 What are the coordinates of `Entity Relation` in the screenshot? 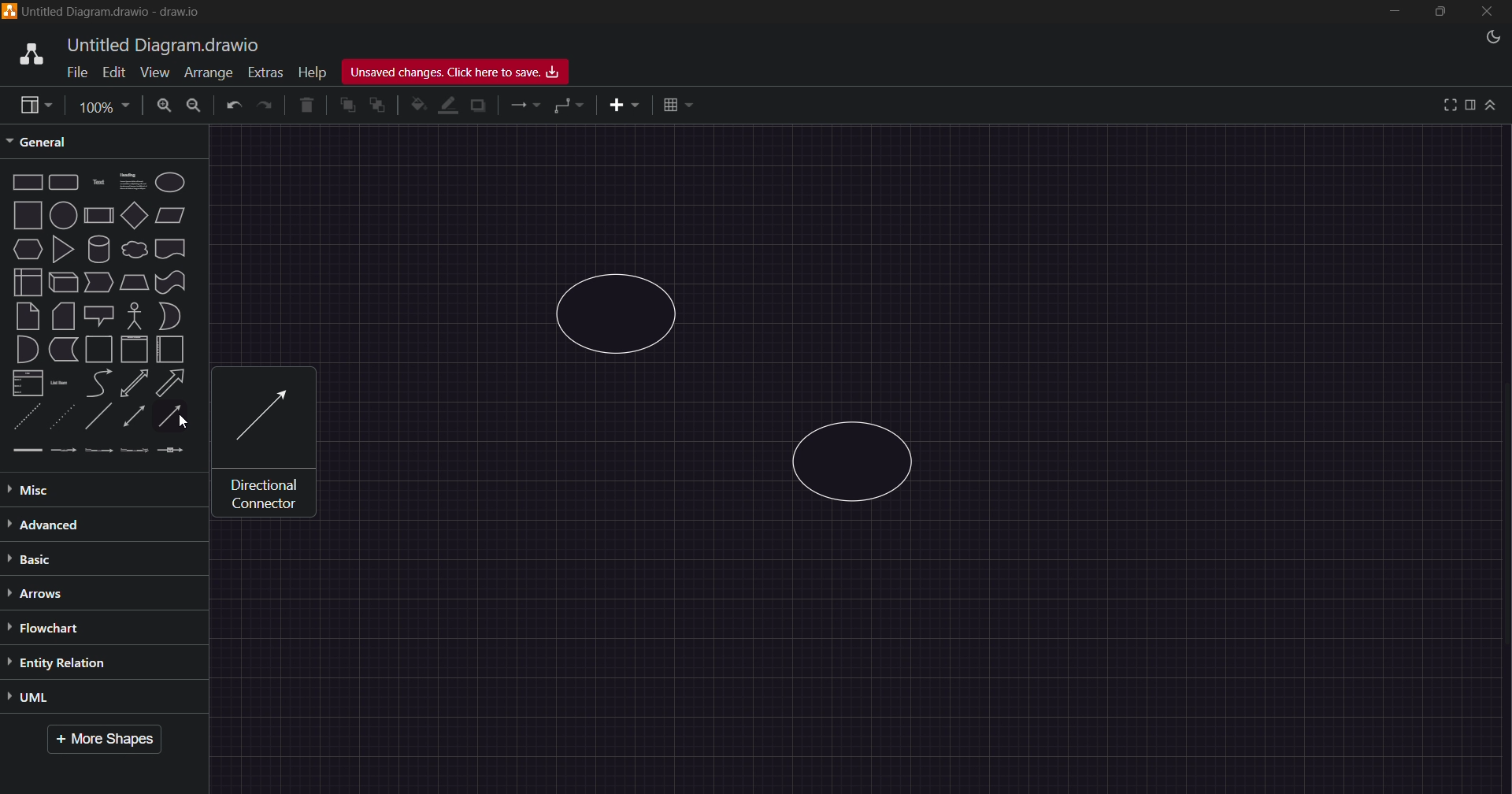 It's located at (78, 662).